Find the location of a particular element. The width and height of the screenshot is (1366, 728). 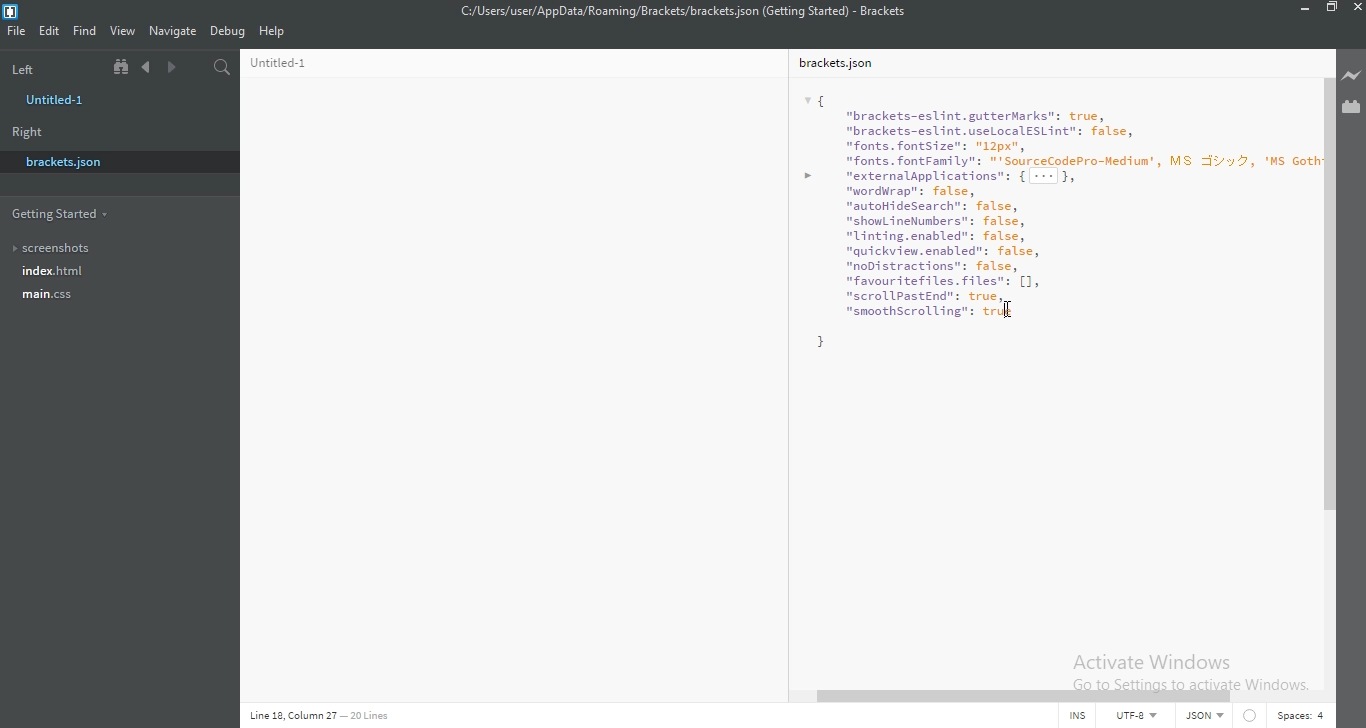

close is located at coordinates (1357, 7).